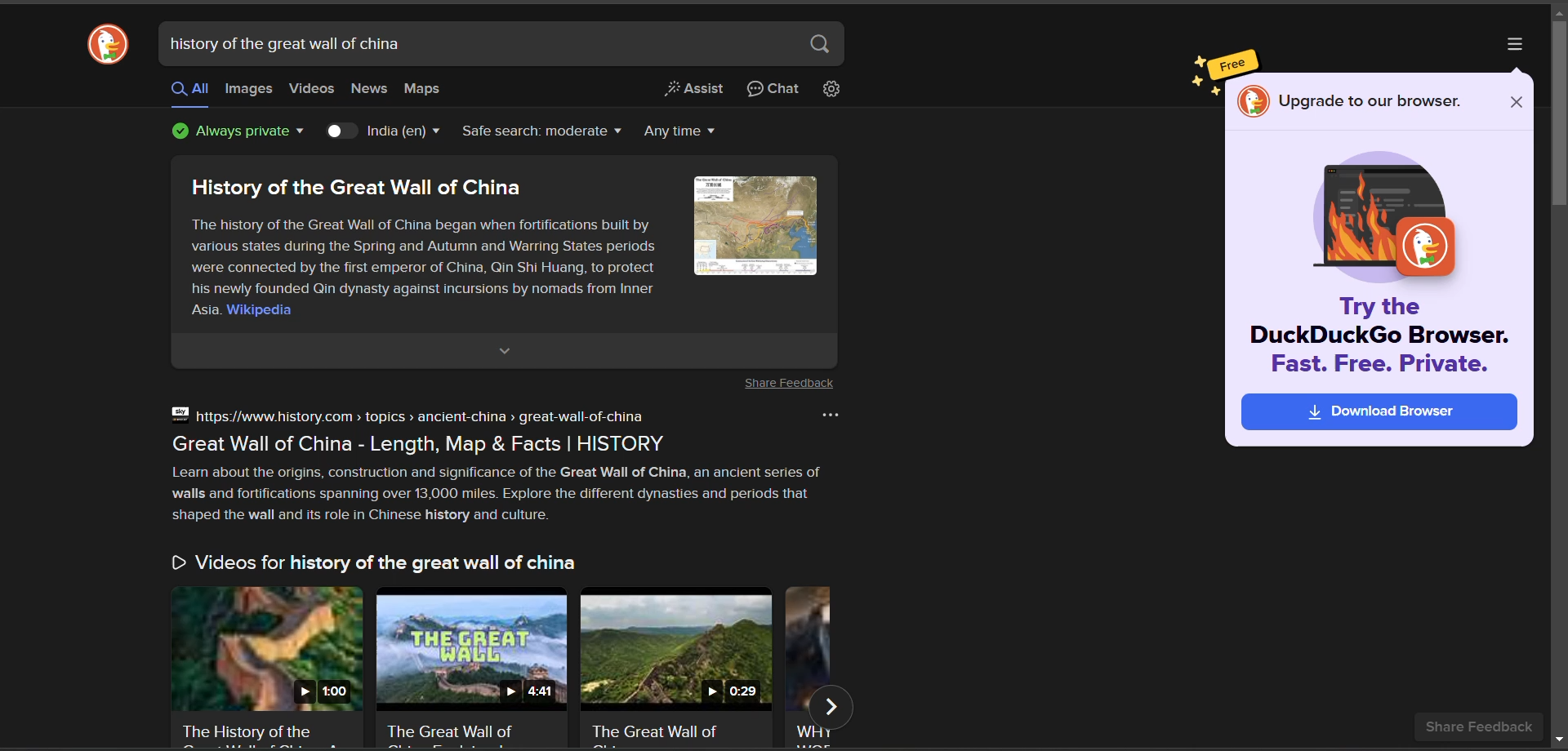 Image resolution: width=1568 pixels, height=751 pixels. What do you see at coordinates (108, 47) in the screenshot?
I see `logo` at bounding box center [108, 47].